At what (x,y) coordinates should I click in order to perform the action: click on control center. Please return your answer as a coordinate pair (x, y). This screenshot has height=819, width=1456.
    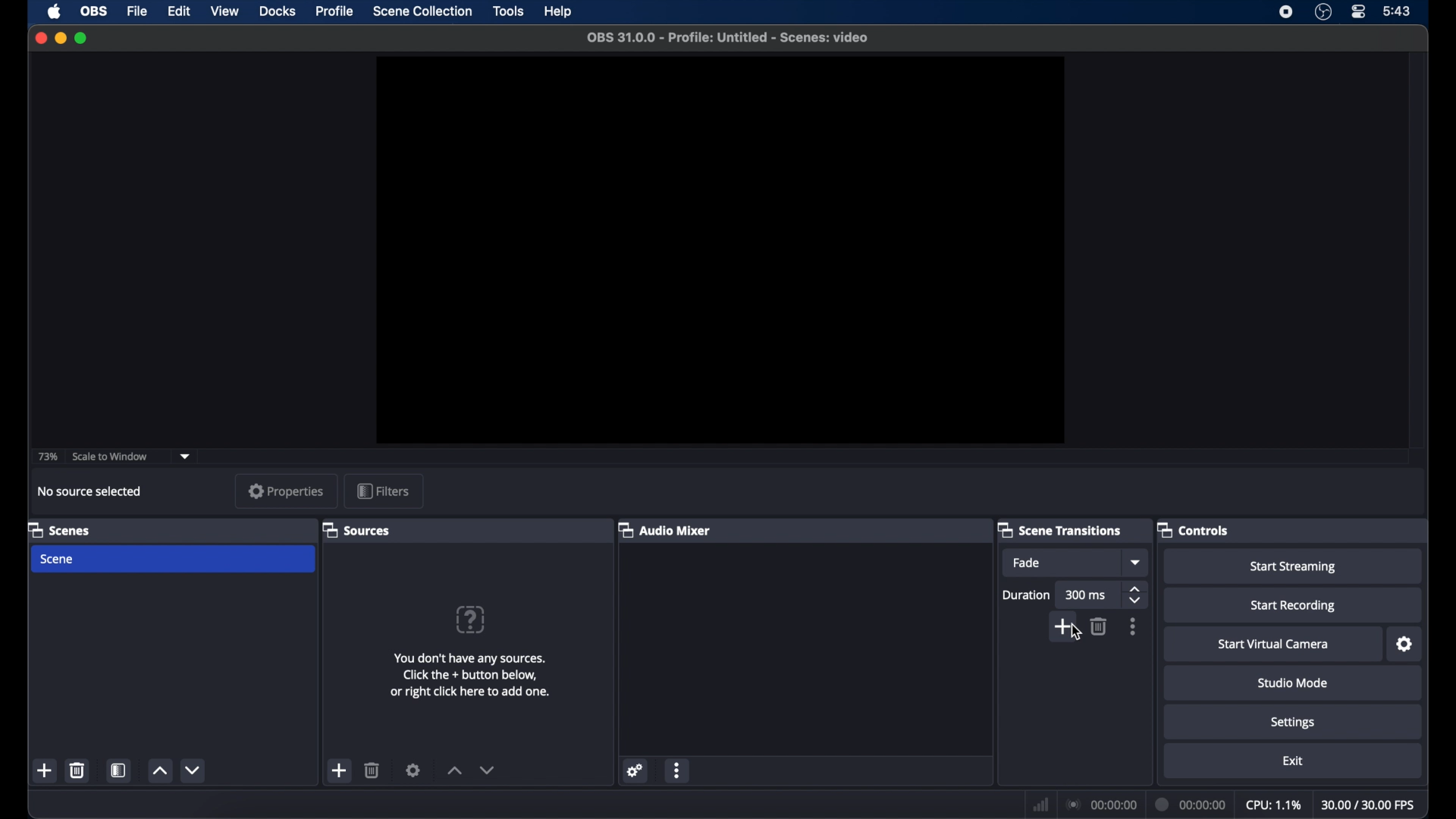
    Looking at the image, I should click on (1359, 11).